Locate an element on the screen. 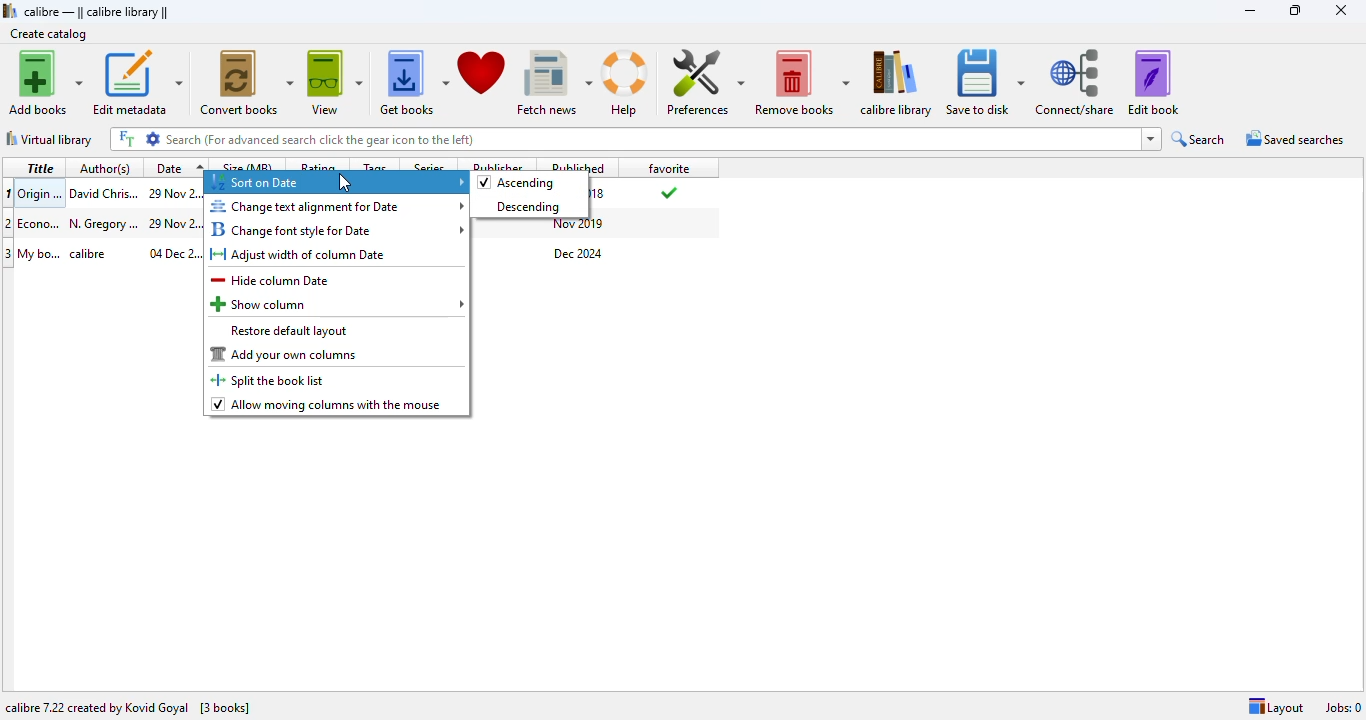 Image resolution: width=1366 pixels, height=720 pixels. settings is located at coordinates (154, 138).